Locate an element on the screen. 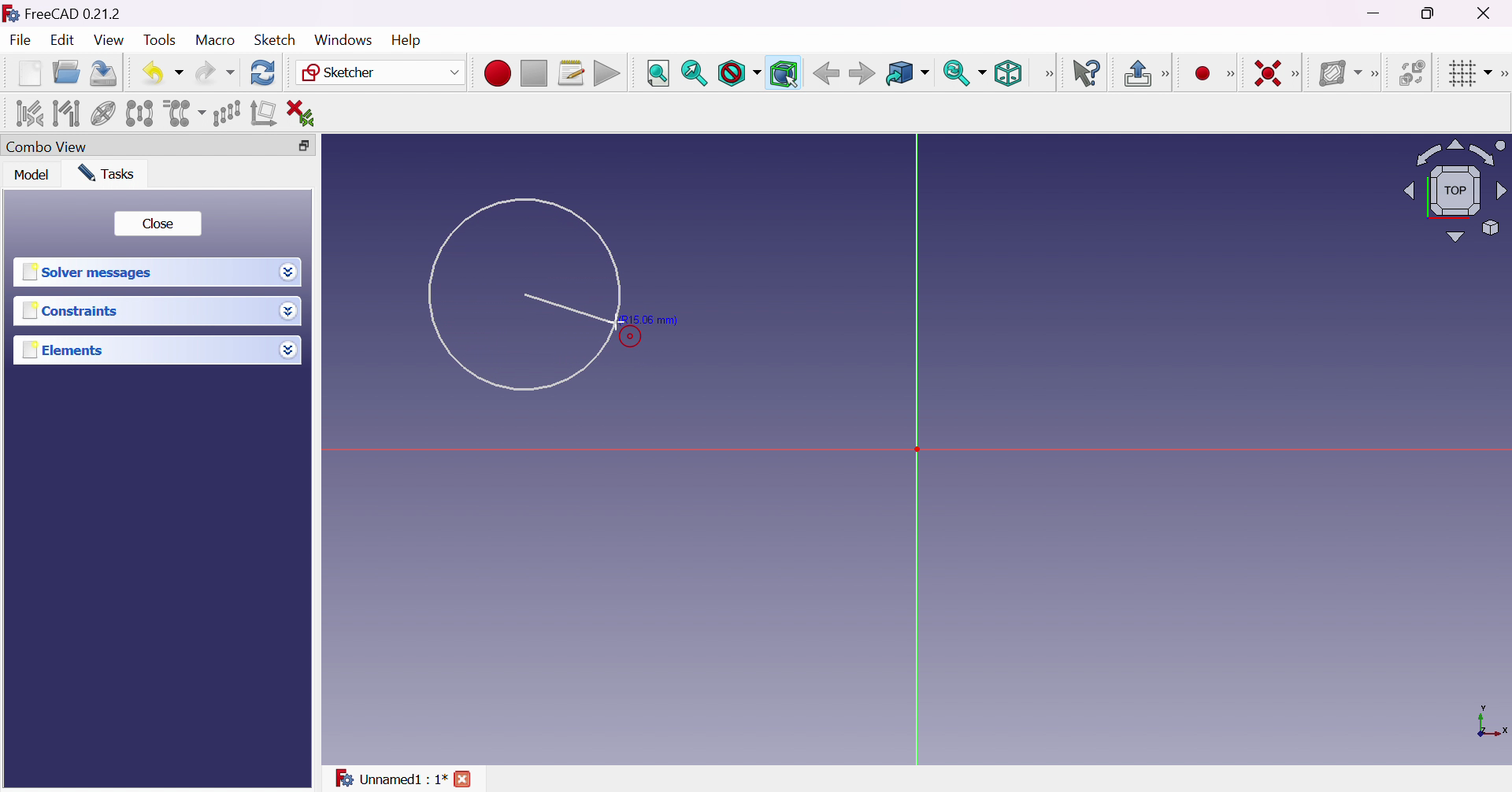  [Sketcher constraints] is located at coordinates (1299, 75).